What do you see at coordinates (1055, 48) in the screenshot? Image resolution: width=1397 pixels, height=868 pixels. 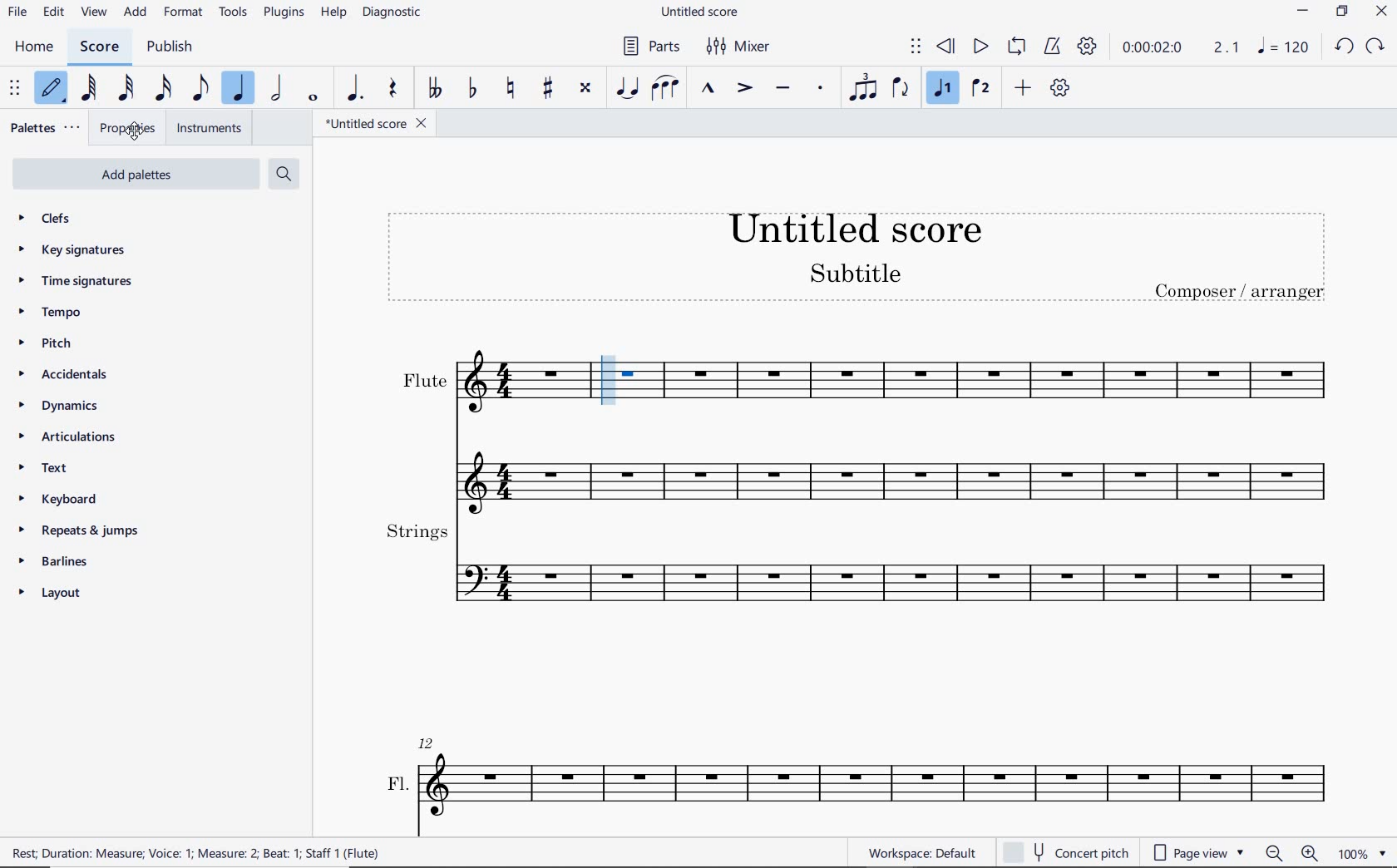 I see `METRONOME` at bounding box center [1055, 48].